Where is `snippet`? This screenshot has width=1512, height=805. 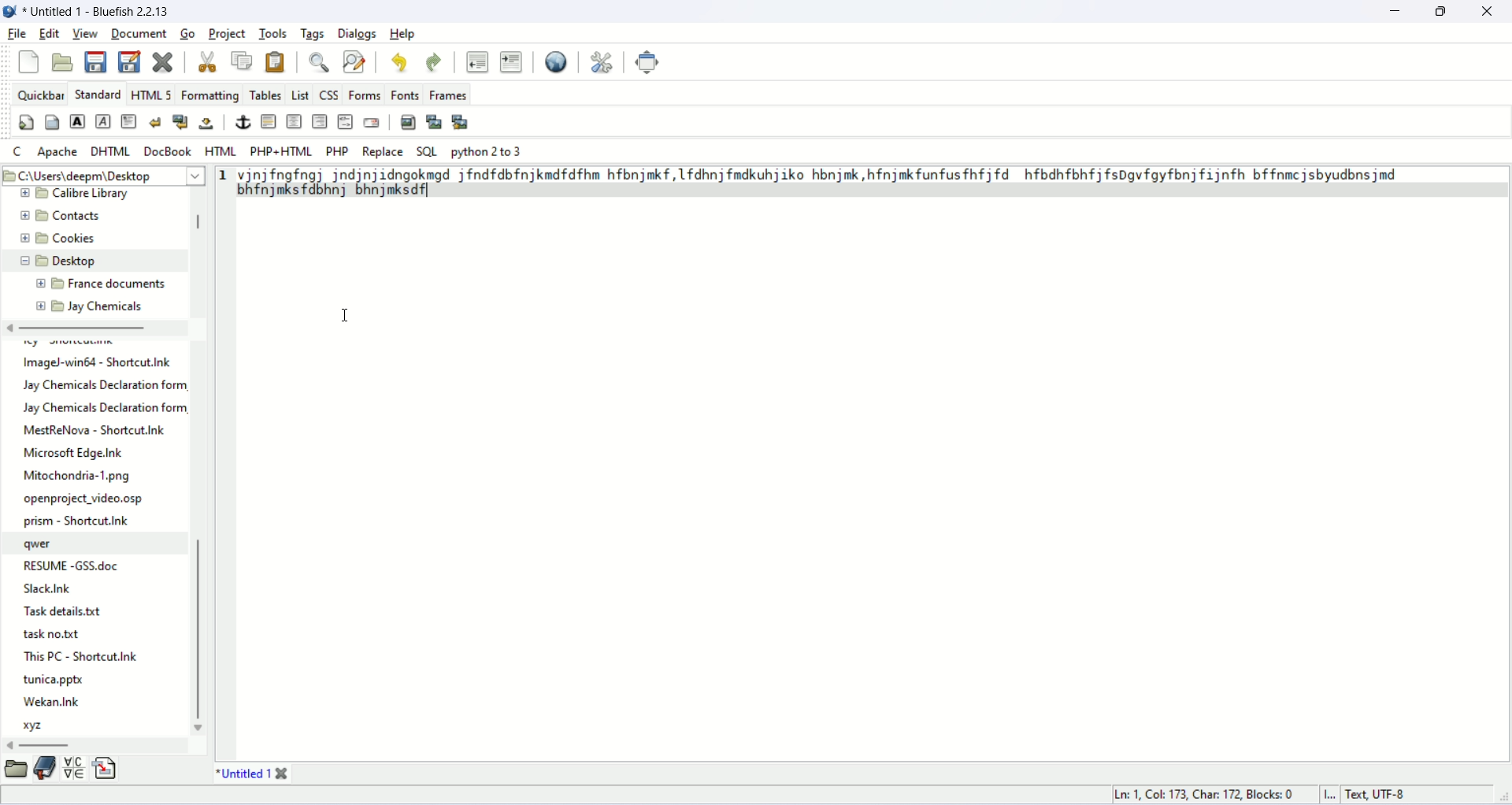 snippet is located at coordinates (107, 770).